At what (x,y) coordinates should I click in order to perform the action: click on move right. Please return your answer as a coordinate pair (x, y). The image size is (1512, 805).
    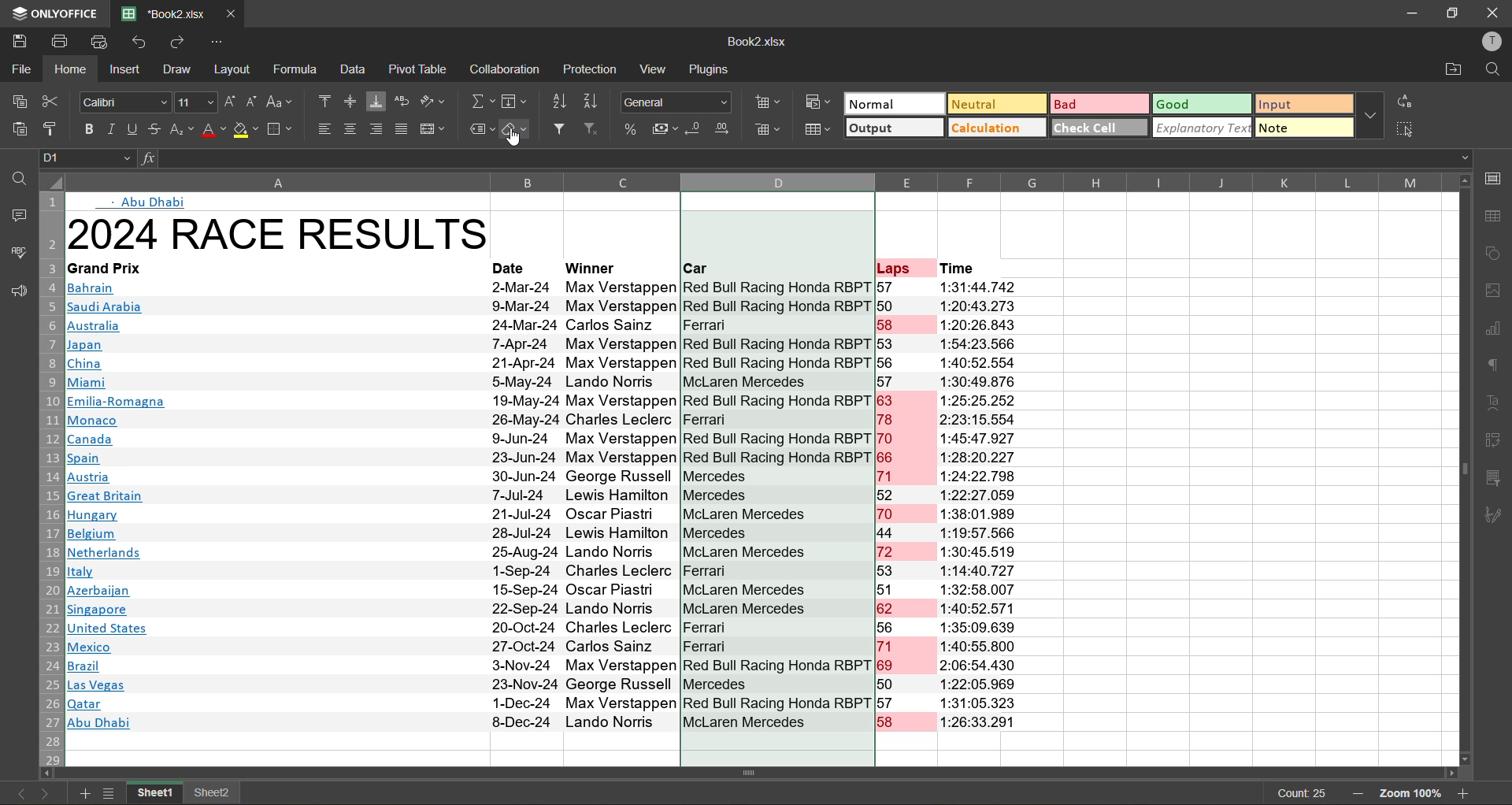
    Looking at the image, I should click on (1447, 773).